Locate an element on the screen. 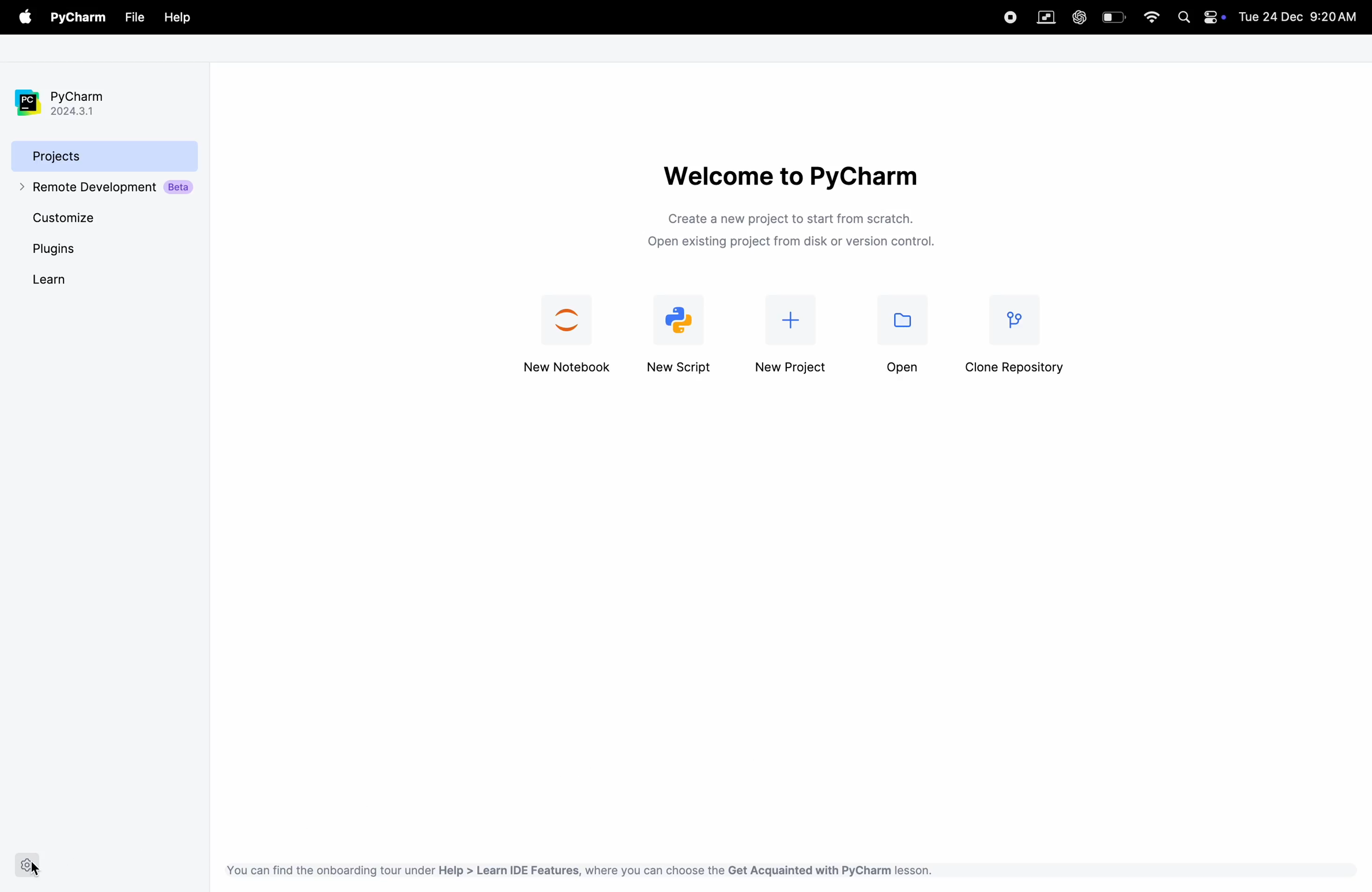  apple widgets is located at coordinates (1213, 16).